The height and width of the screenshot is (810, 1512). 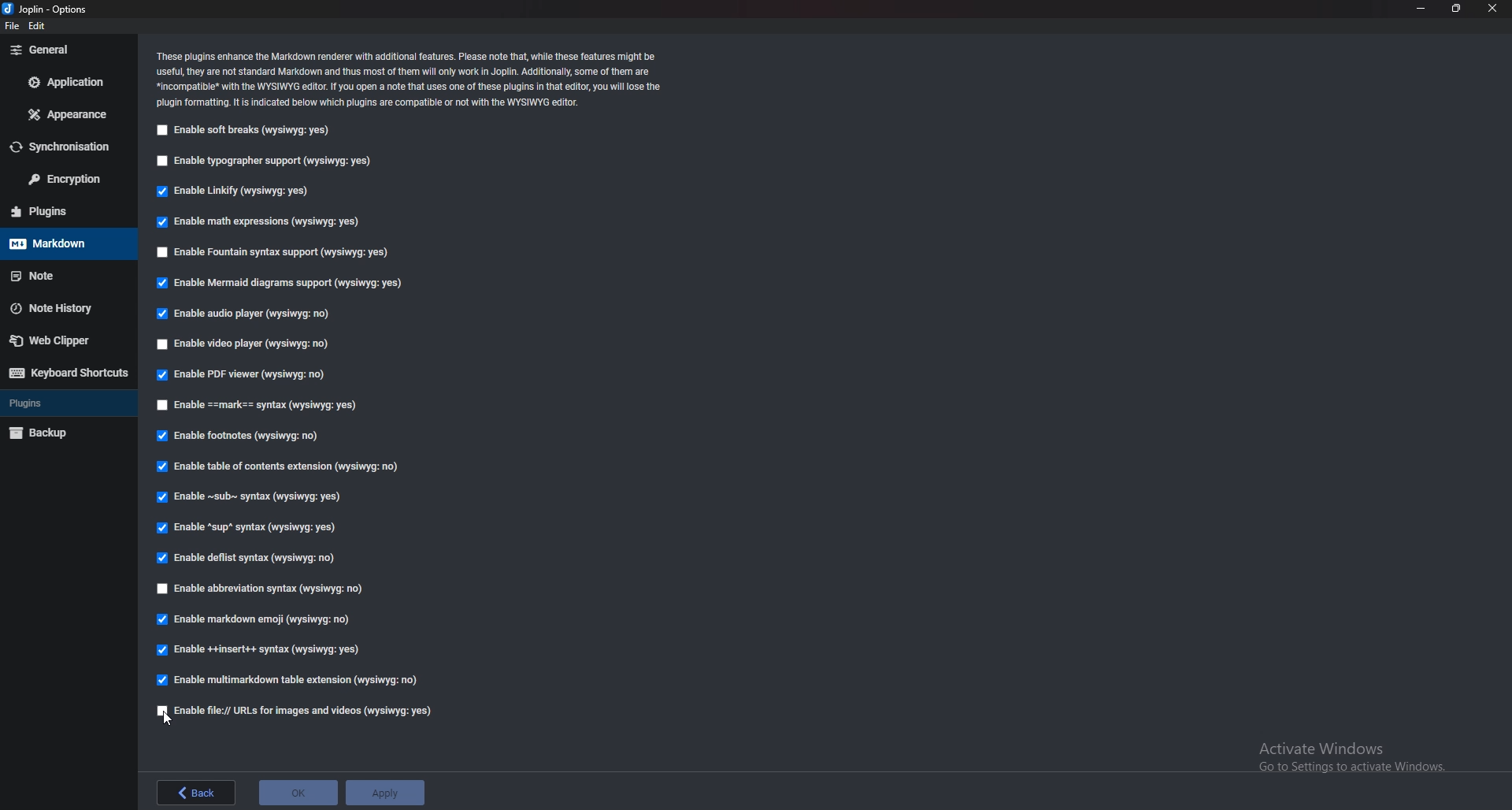 I want to click on markdown Info, so click(x=410, y=79).